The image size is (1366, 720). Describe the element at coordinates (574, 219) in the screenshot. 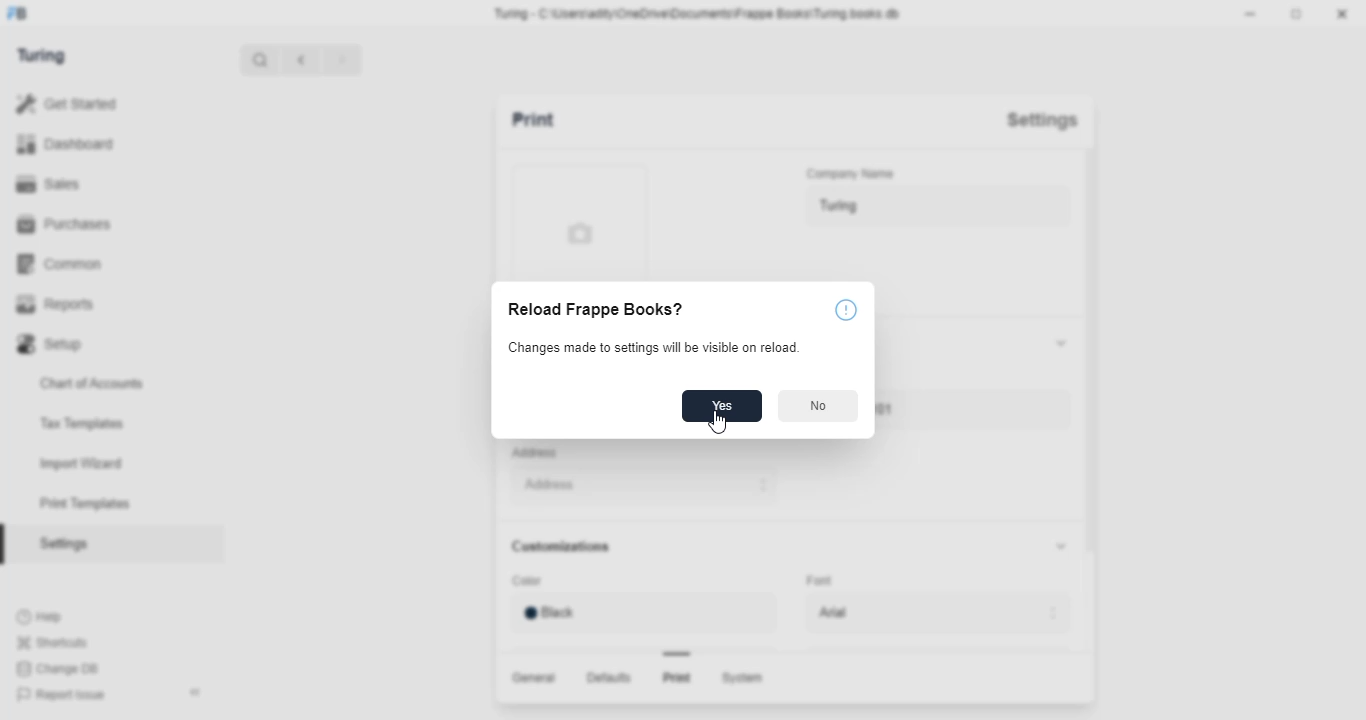

I see `add profile image` at that location.